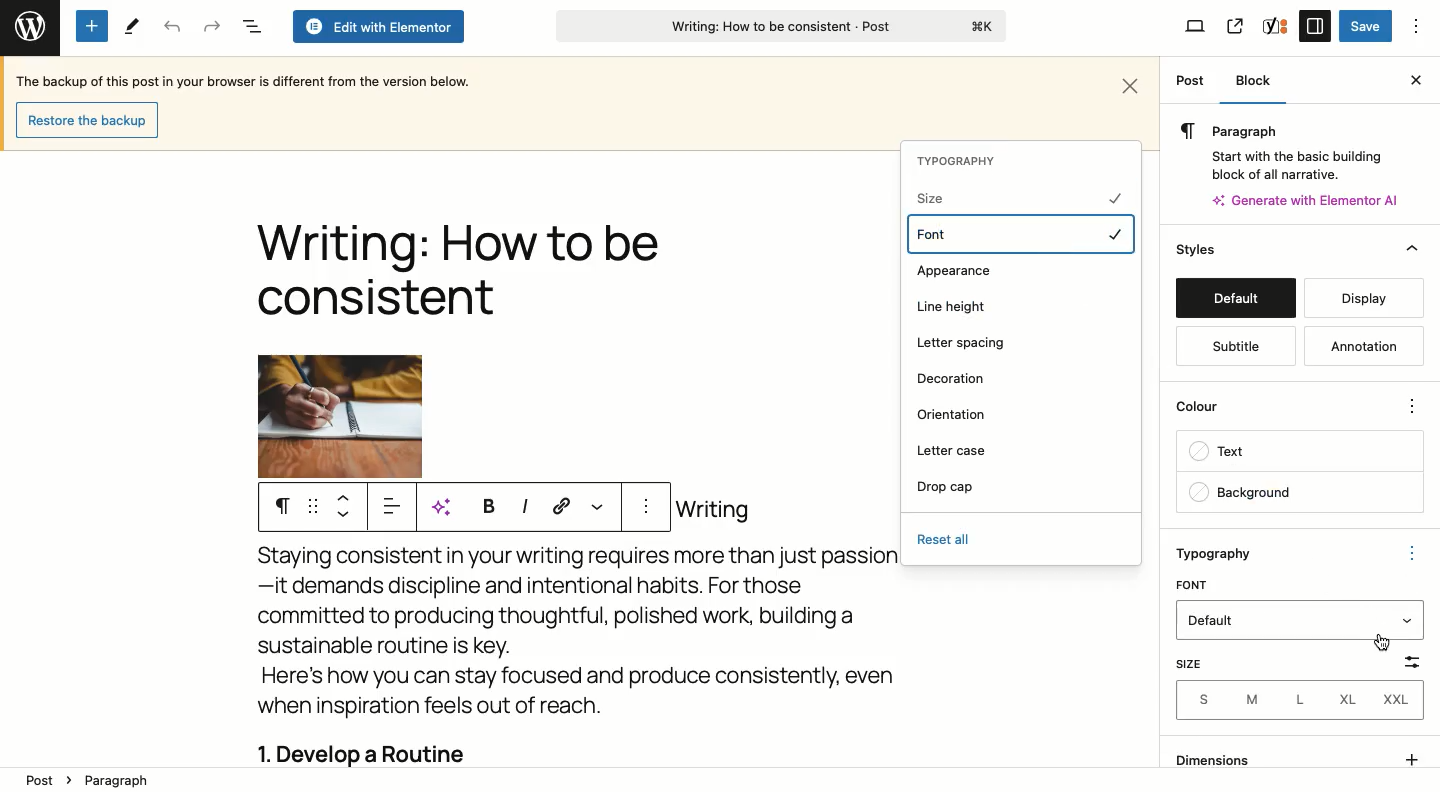 Image resolution: width=1440 pixels, height=792 pixels. Describe the element at coordinates (953, 273) in the screenshot. I see `Appearance` at that location.